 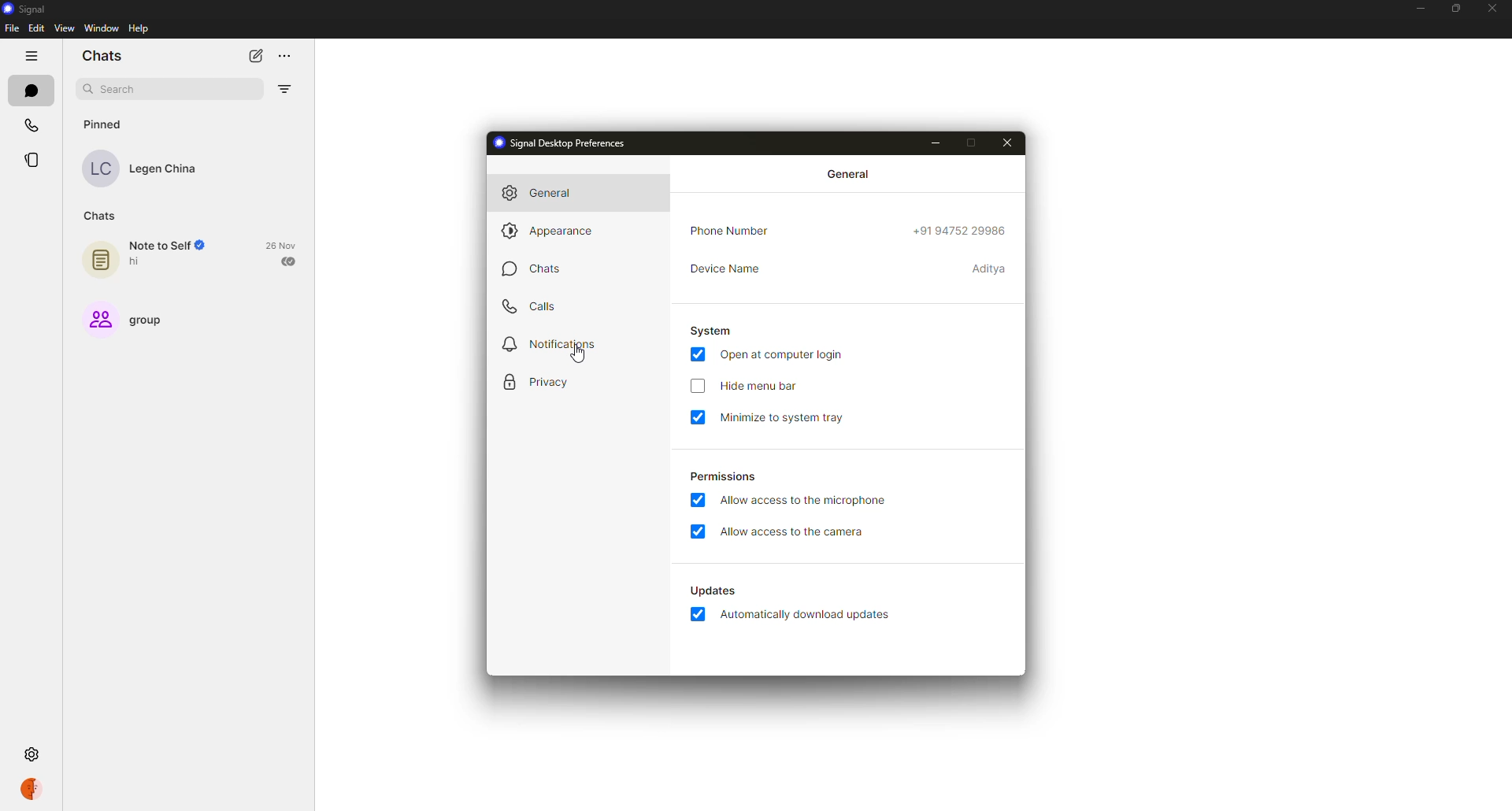 What do you see at coordinates (729, 267) in the screenshot?
I see `device name` at bounding box center [729, 267].